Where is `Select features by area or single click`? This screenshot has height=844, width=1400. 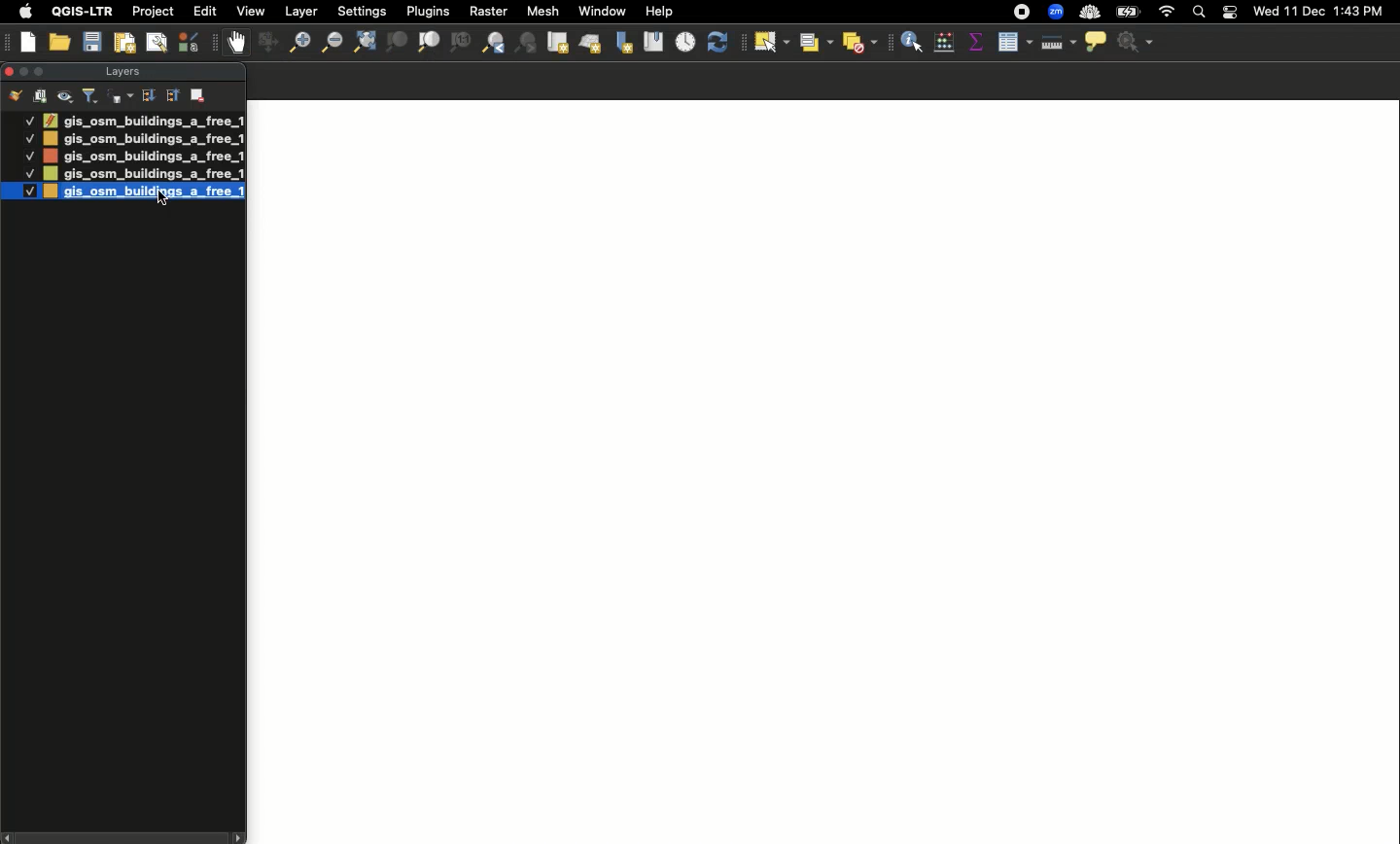
Select features by area or single click is located at coordinates (772, 43).